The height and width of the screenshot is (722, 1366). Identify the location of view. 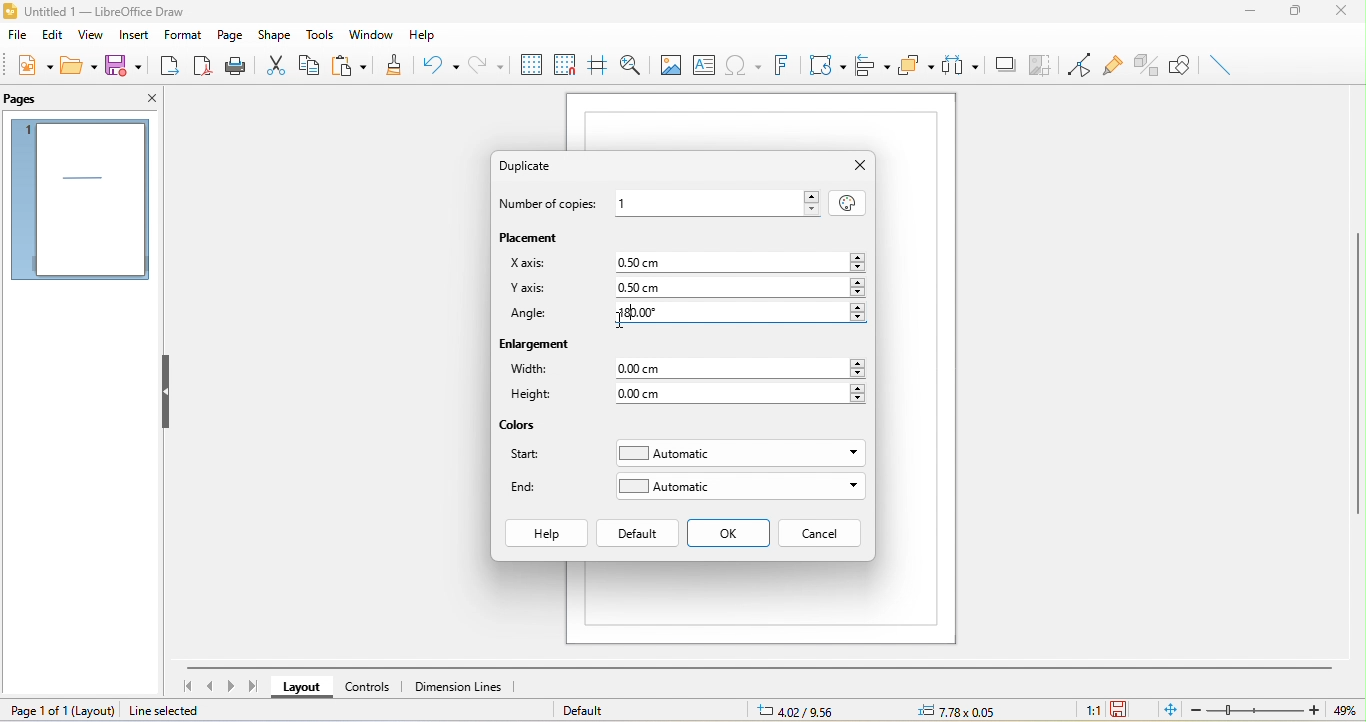
(88, 36).